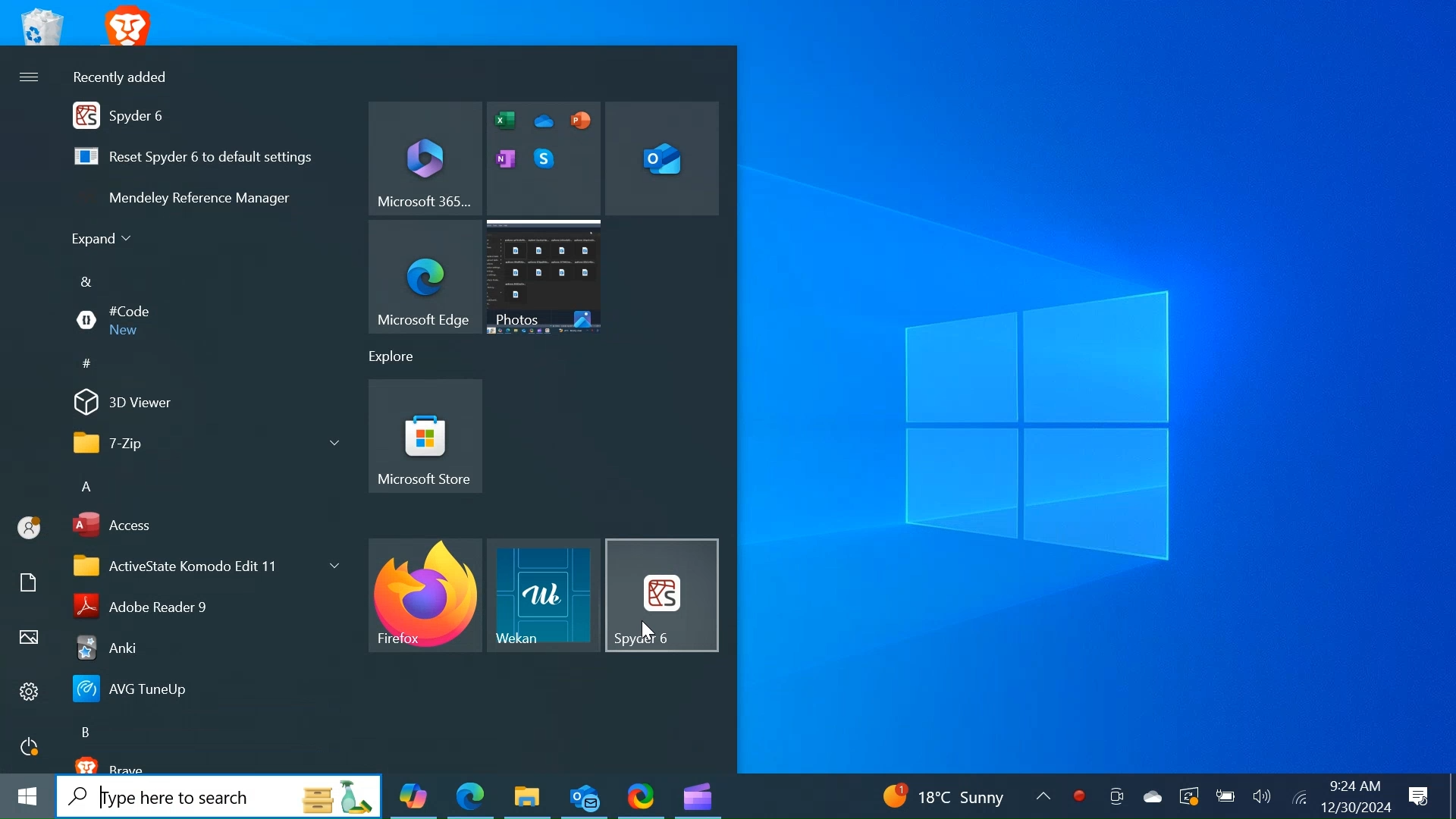 The height and width of the screenshot is (819, 1456). Describe the element at coordinates (652, 632) in the screenshot. I see `Cursor` at that location.